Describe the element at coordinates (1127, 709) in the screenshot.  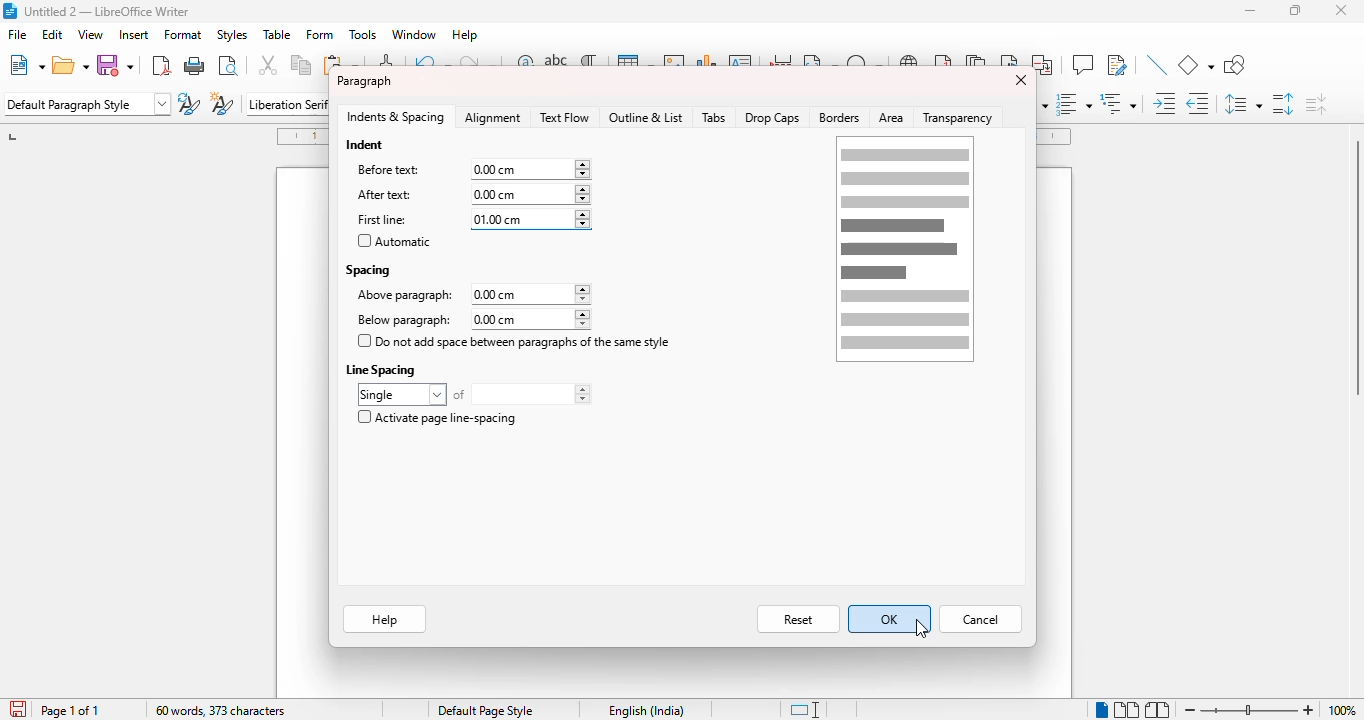
I see `multi-page view` at that location.